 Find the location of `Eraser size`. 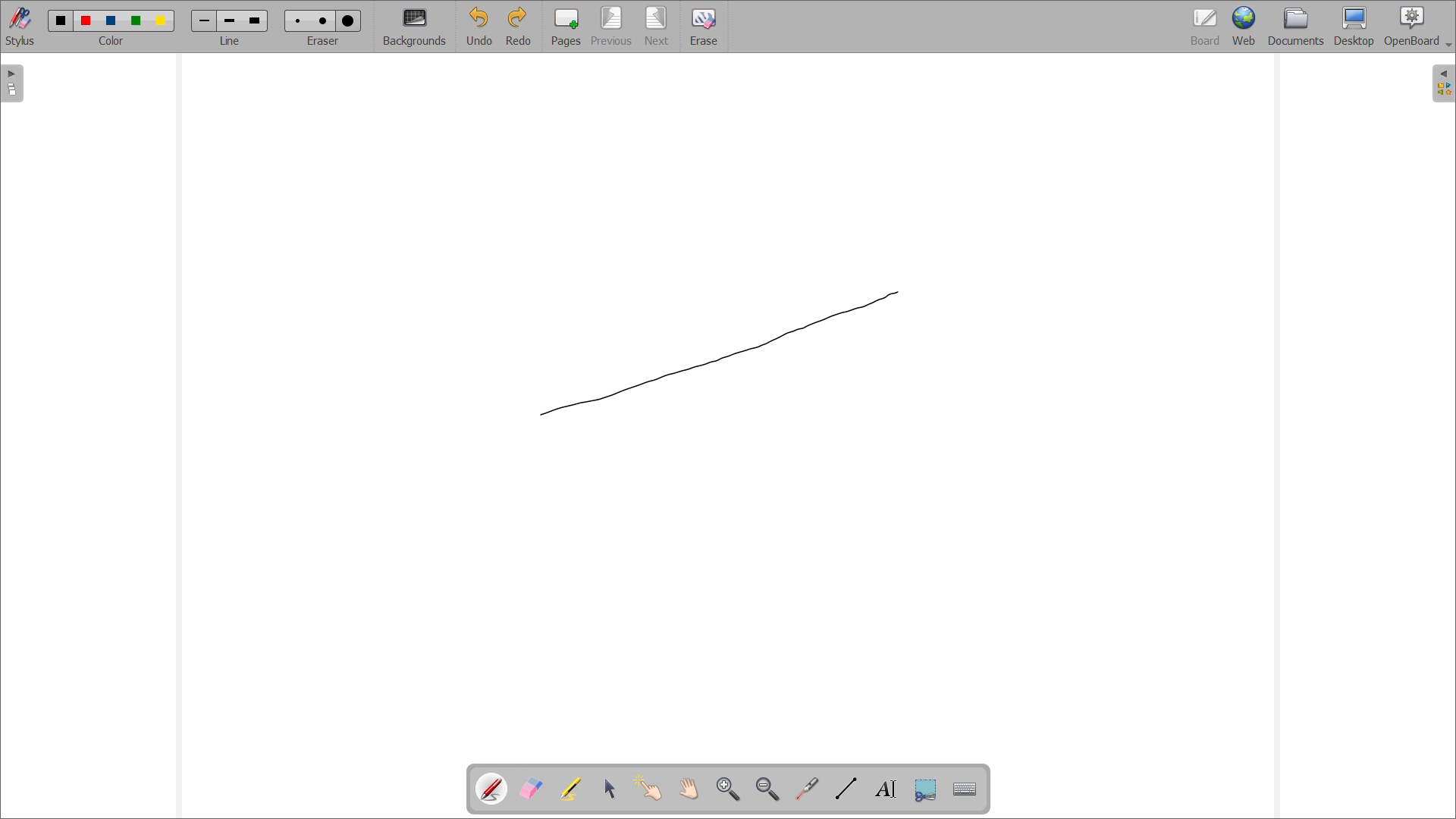

Eraser size is located at coordinates (348, 21).